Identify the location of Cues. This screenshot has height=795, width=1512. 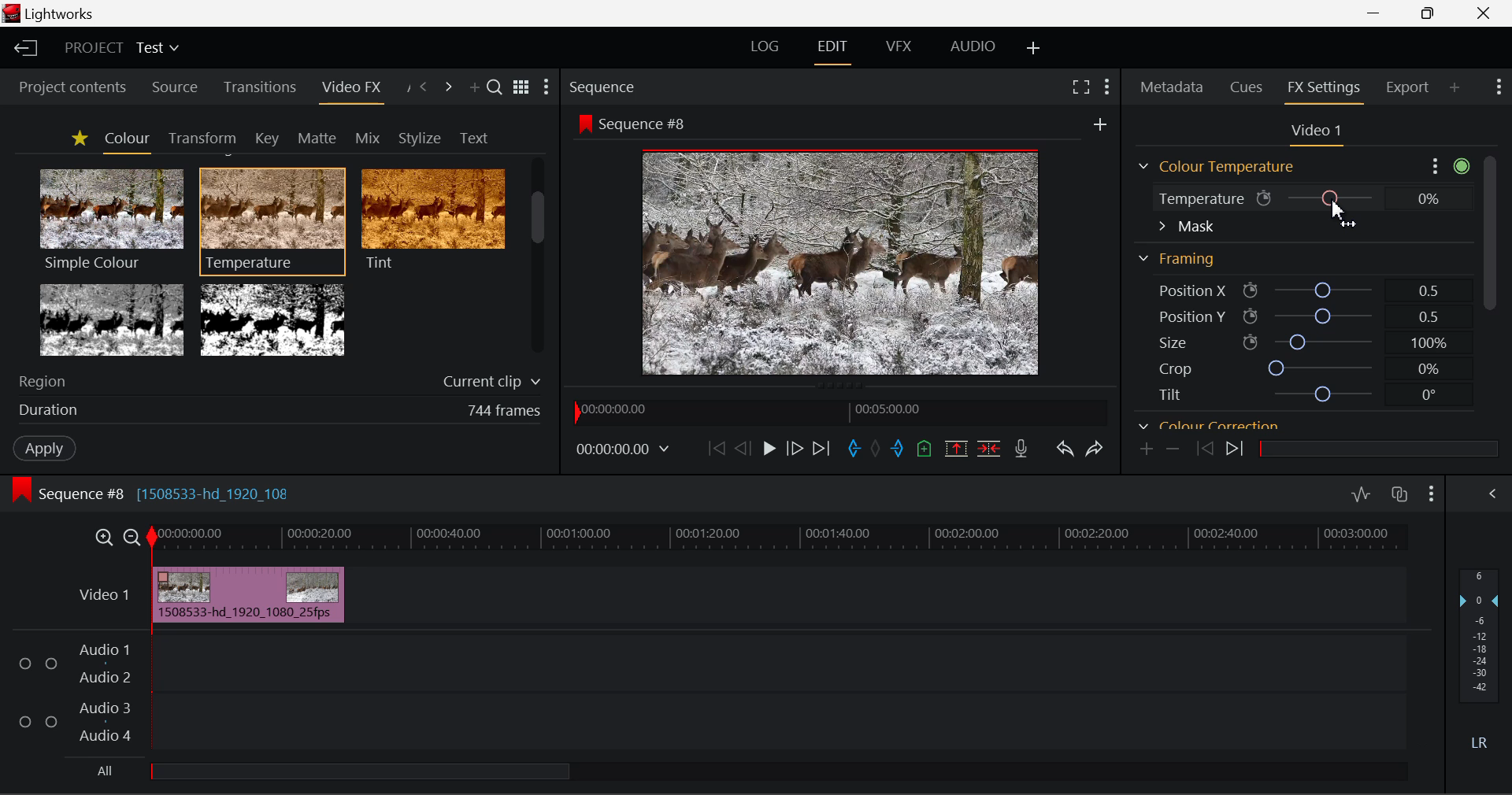
(1247, 86).